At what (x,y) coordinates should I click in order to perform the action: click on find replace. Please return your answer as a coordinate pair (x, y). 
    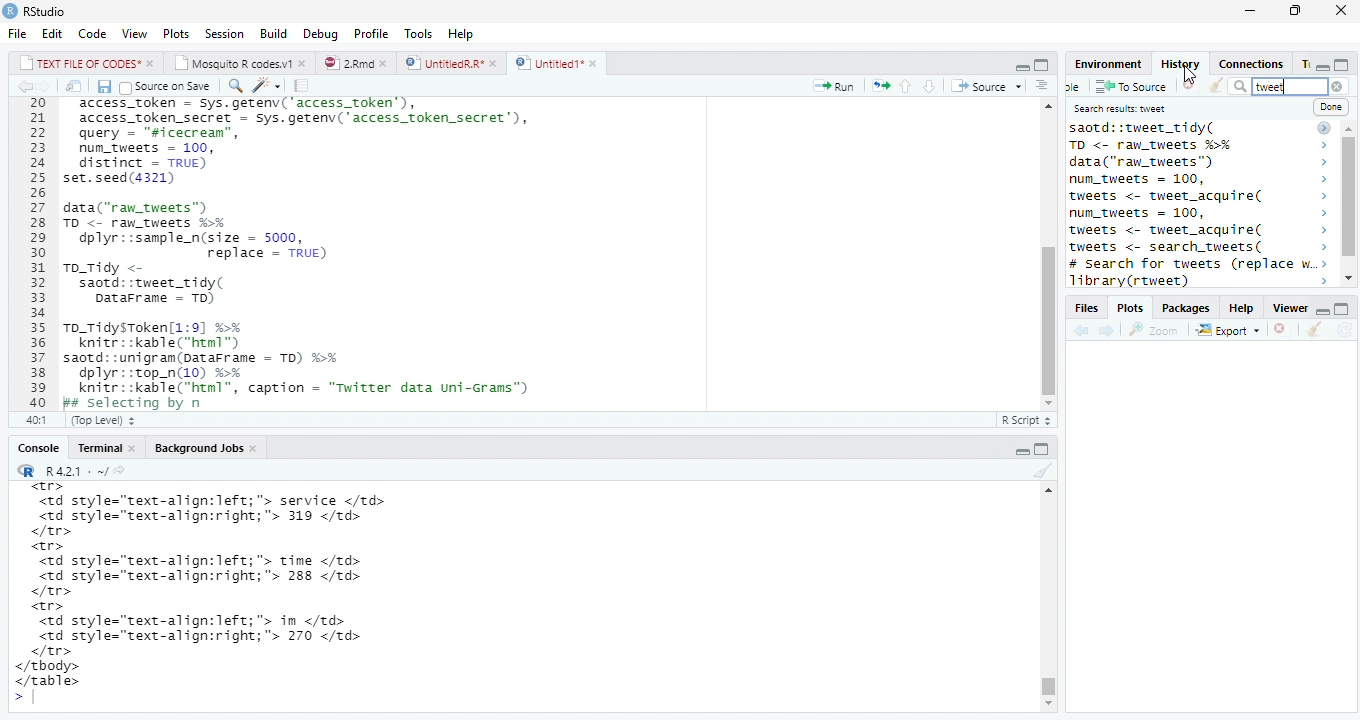
    Looking at the image, I should click on (237, 85).